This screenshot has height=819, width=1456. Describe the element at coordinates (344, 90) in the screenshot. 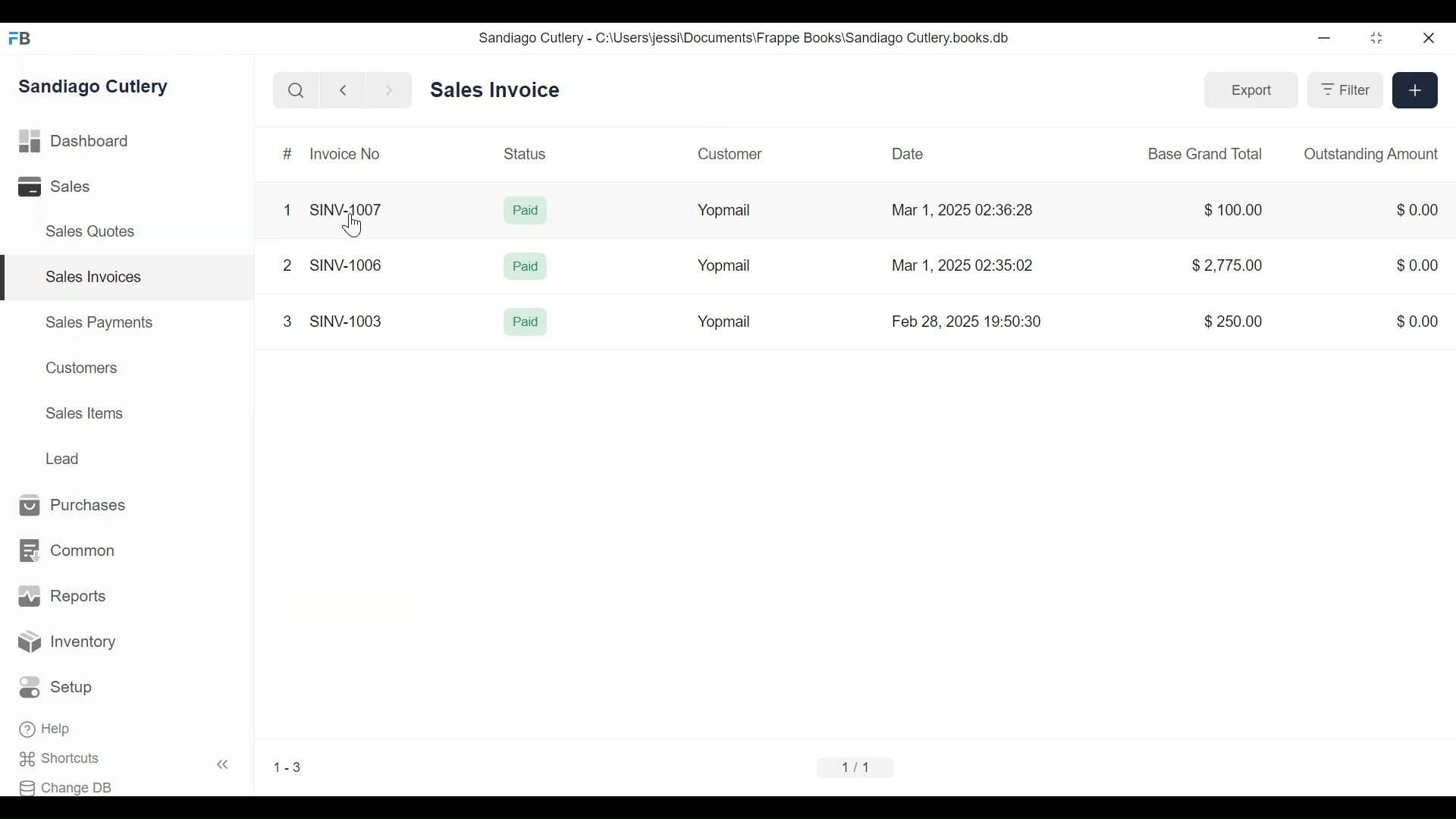

I see `Previous` at that location.